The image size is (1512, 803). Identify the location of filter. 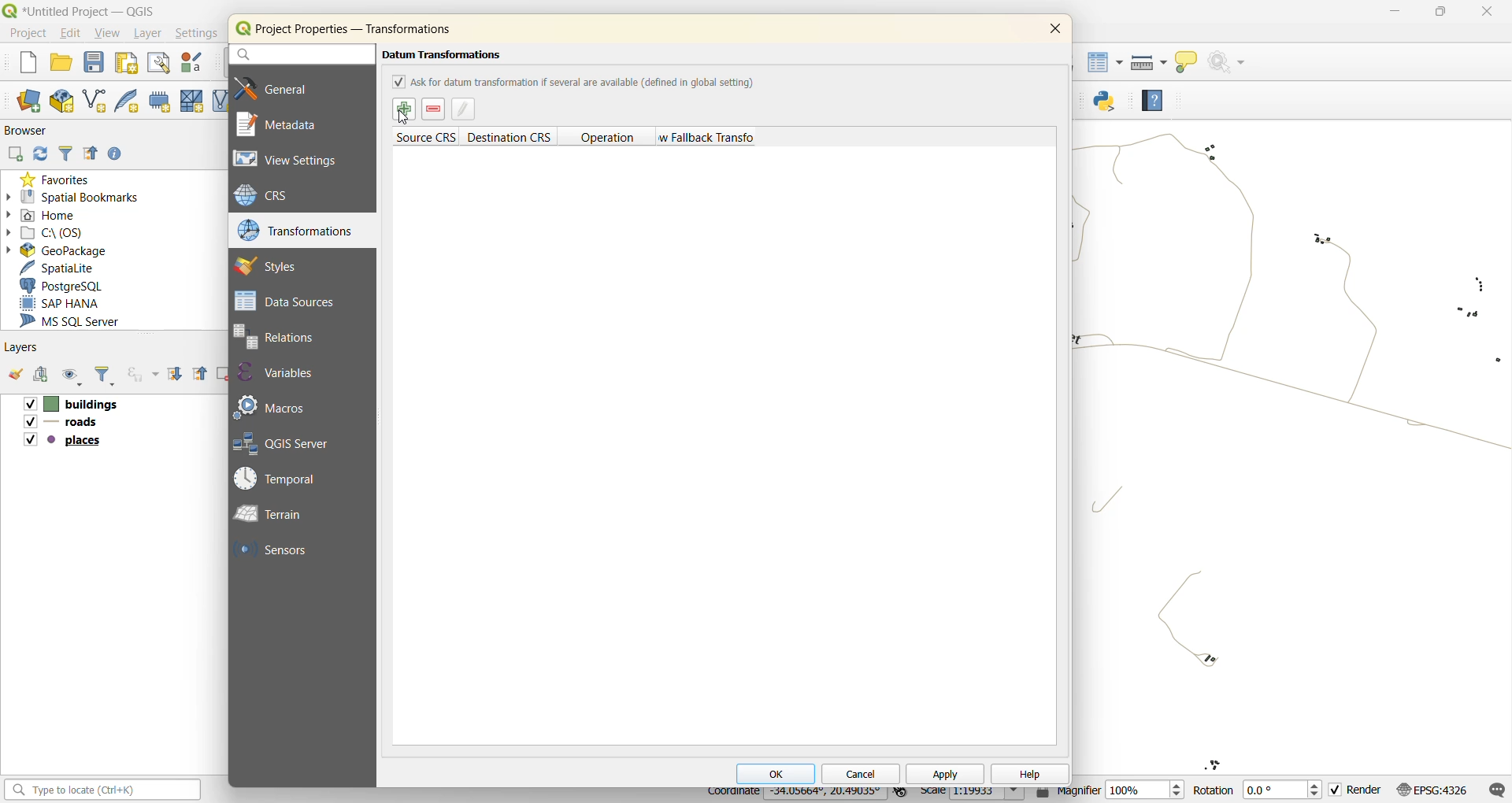
(106, 376).